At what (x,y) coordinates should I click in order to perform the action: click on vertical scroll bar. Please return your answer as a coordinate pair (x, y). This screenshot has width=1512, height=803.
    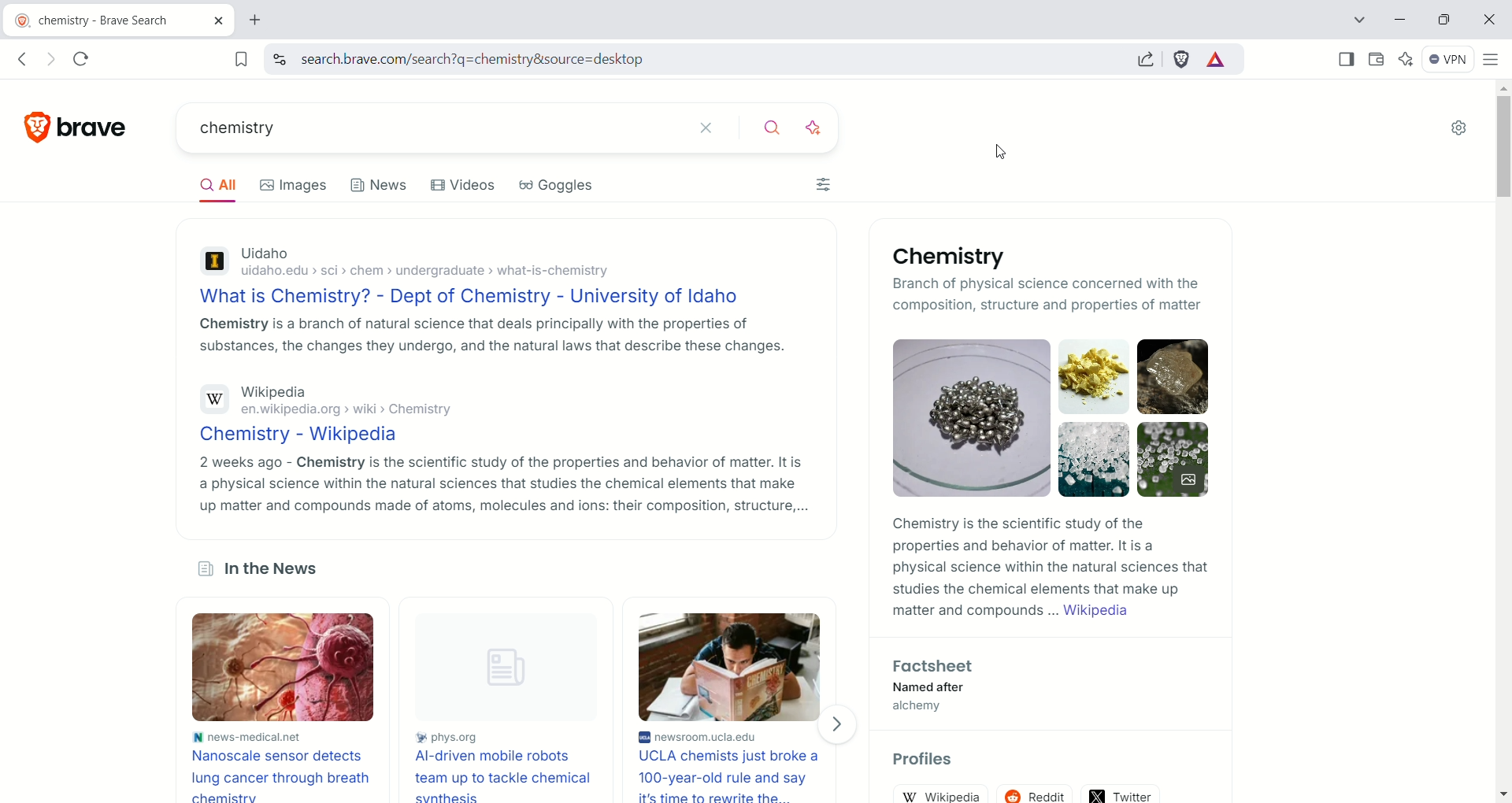
    Looking at the image, I should click on (1502, 443).